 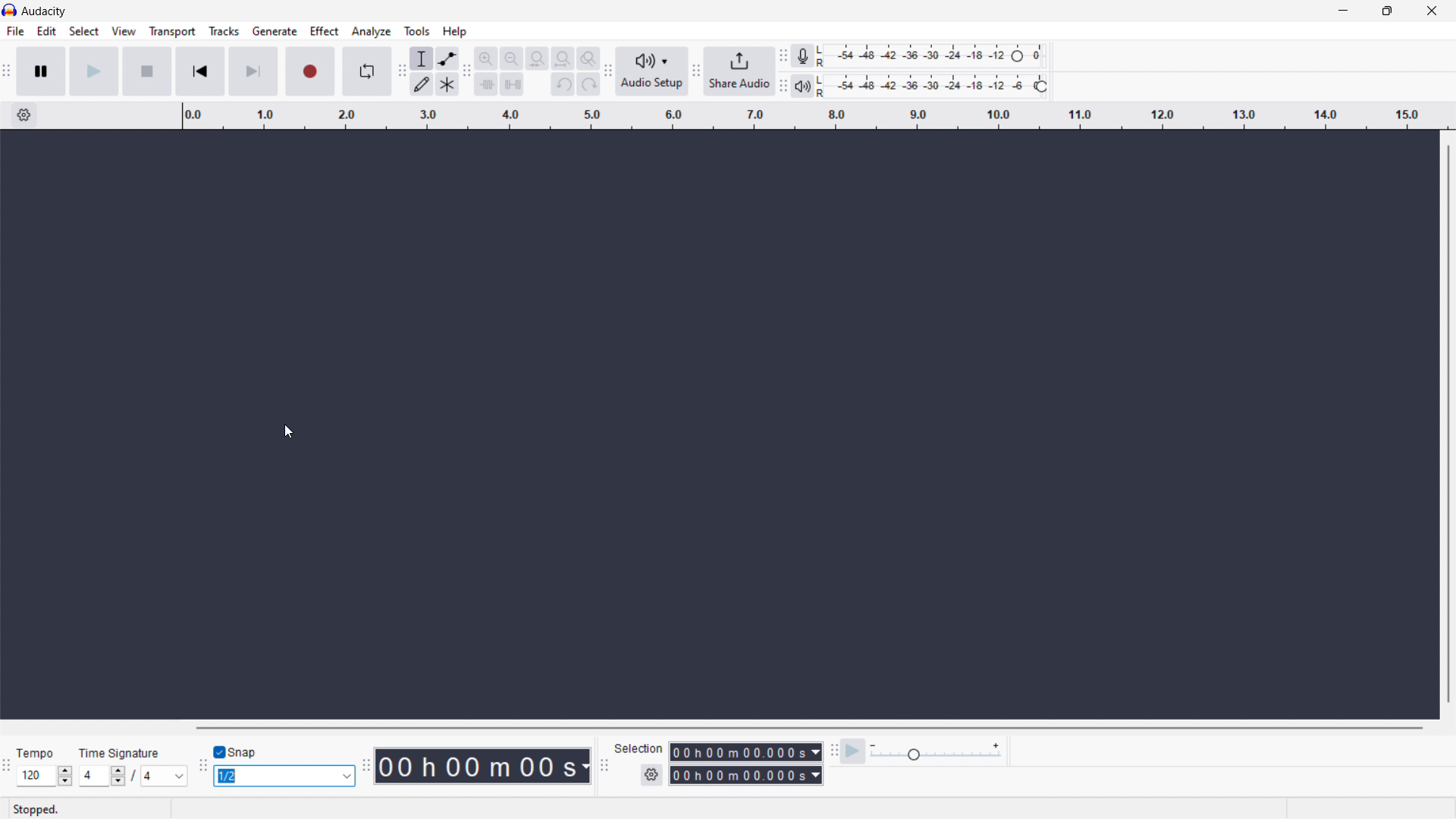 What do you see at coordinates (275, 32) in the screenshot?
I see `generate` at bounding box center [275, 32].